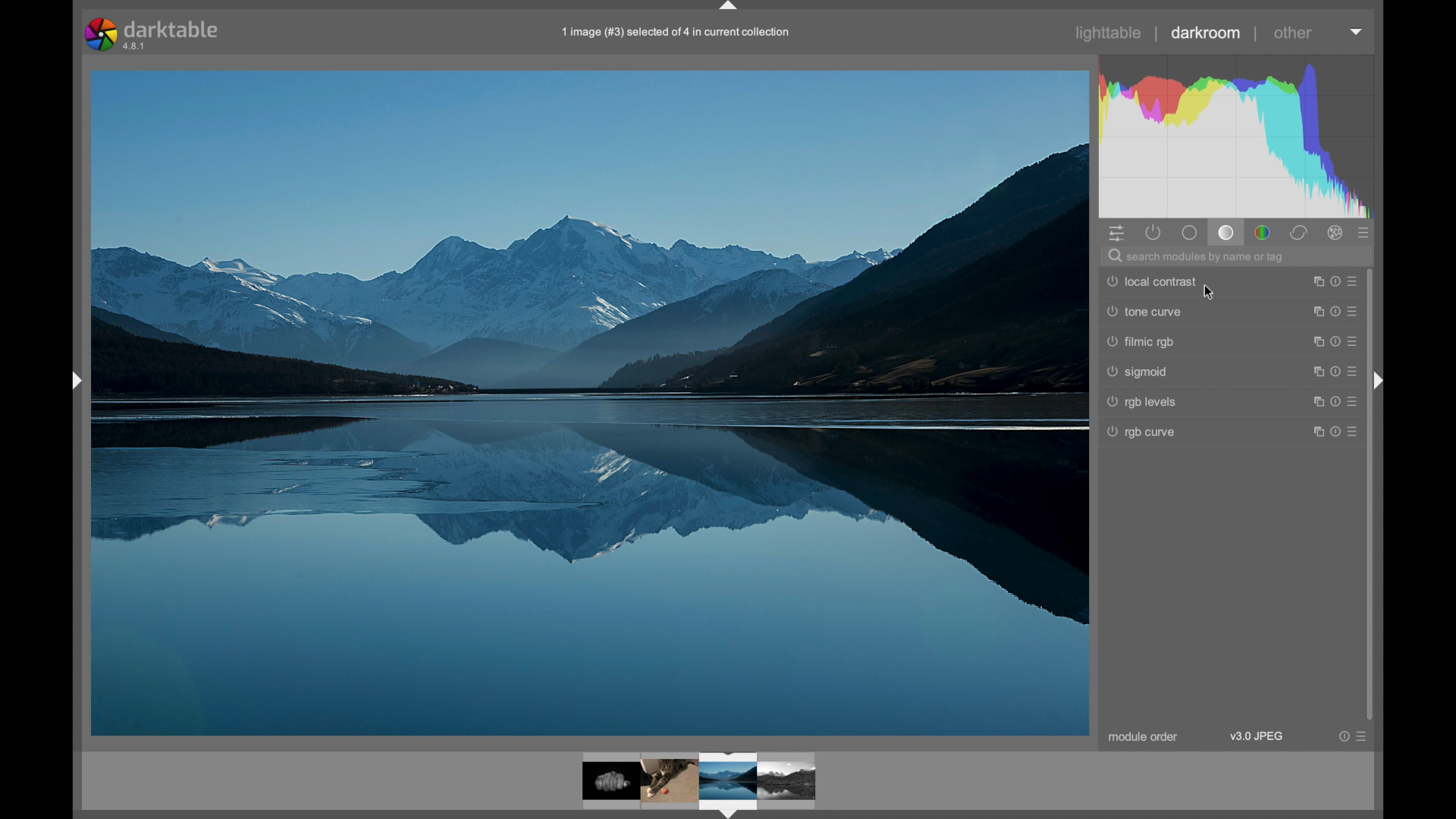 The width and height of the screenshot is (1456, 819). Describe the element at coordinates (1196, 257) in the screenshot. I see `search modules by name or tag` at that location.